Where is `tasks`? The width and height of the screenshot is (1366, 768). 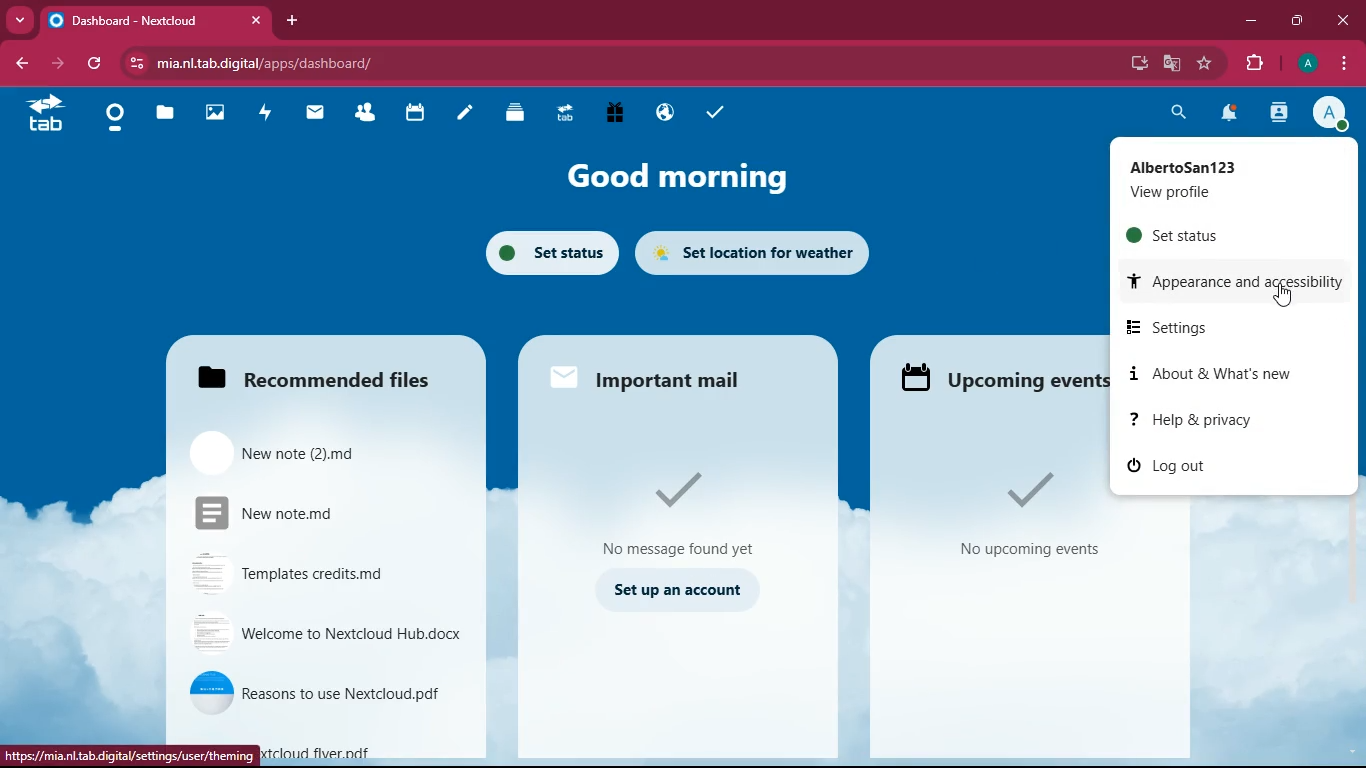 tasks is located at coordinates (714, 113).